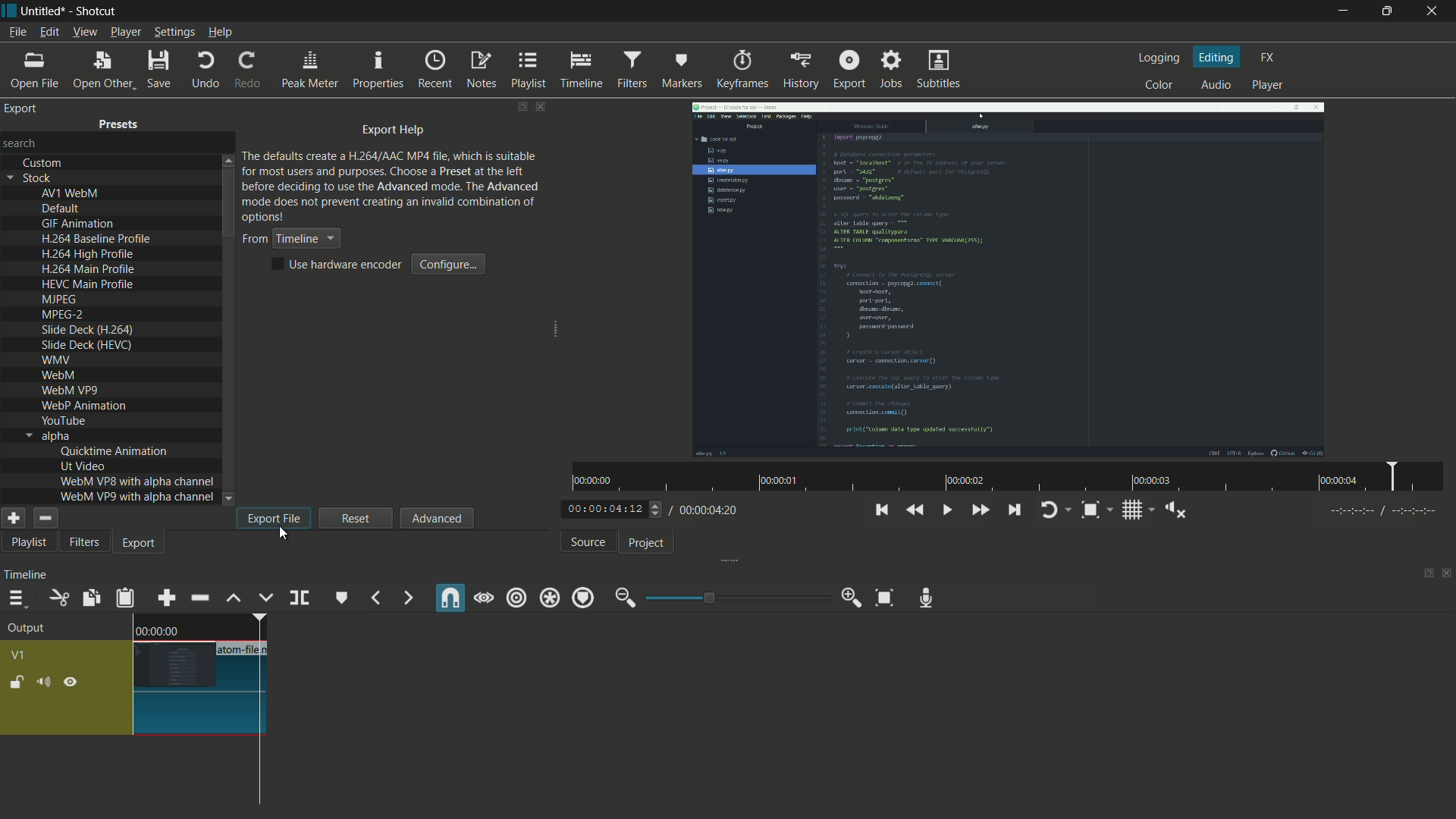 This screenshot has height=819, width=1456. I want to click on zoom out, so click(623, 598).